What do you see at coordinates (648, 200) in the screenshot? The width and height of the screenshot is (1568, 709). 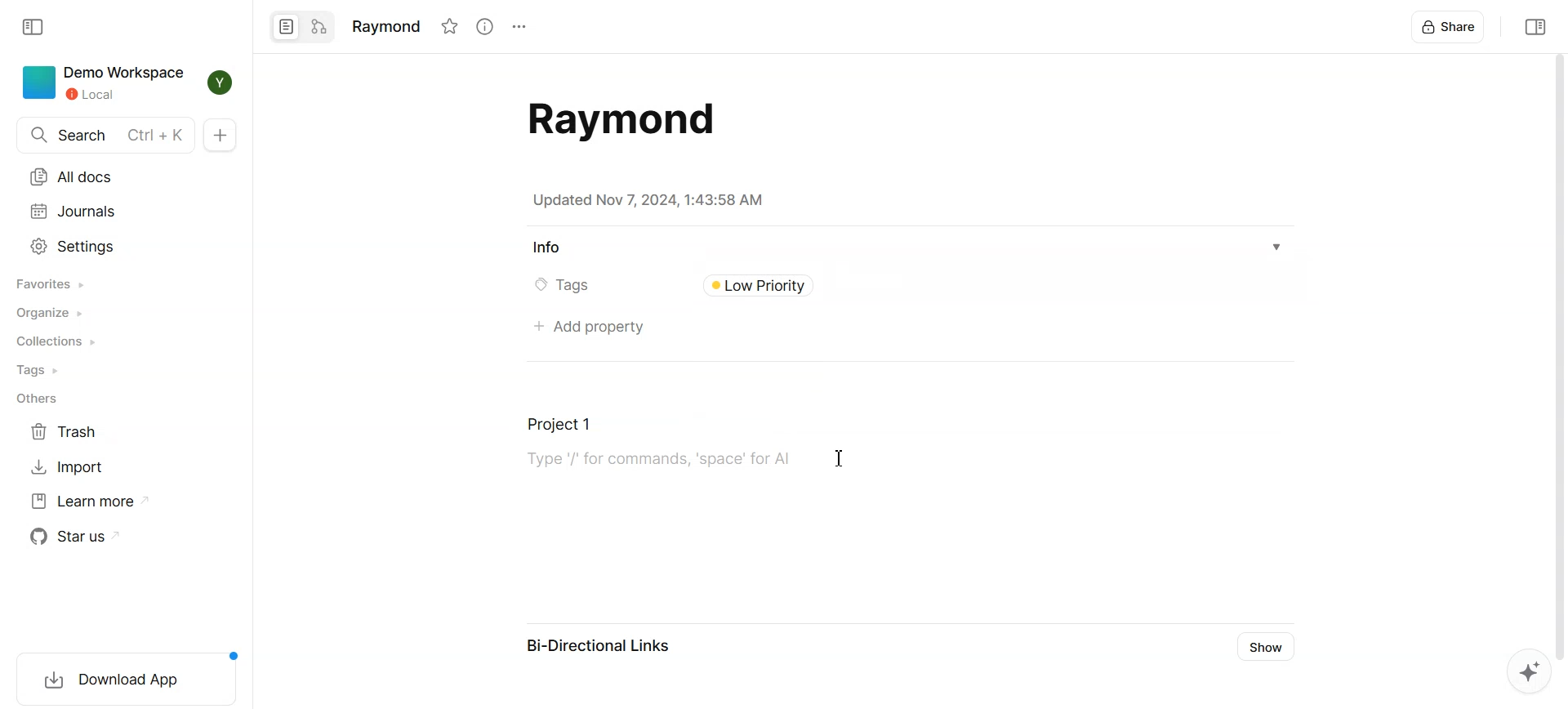 I see `Updated Nov 7, 2024, 1:43:58 AM` at bounding box center [648, 200].